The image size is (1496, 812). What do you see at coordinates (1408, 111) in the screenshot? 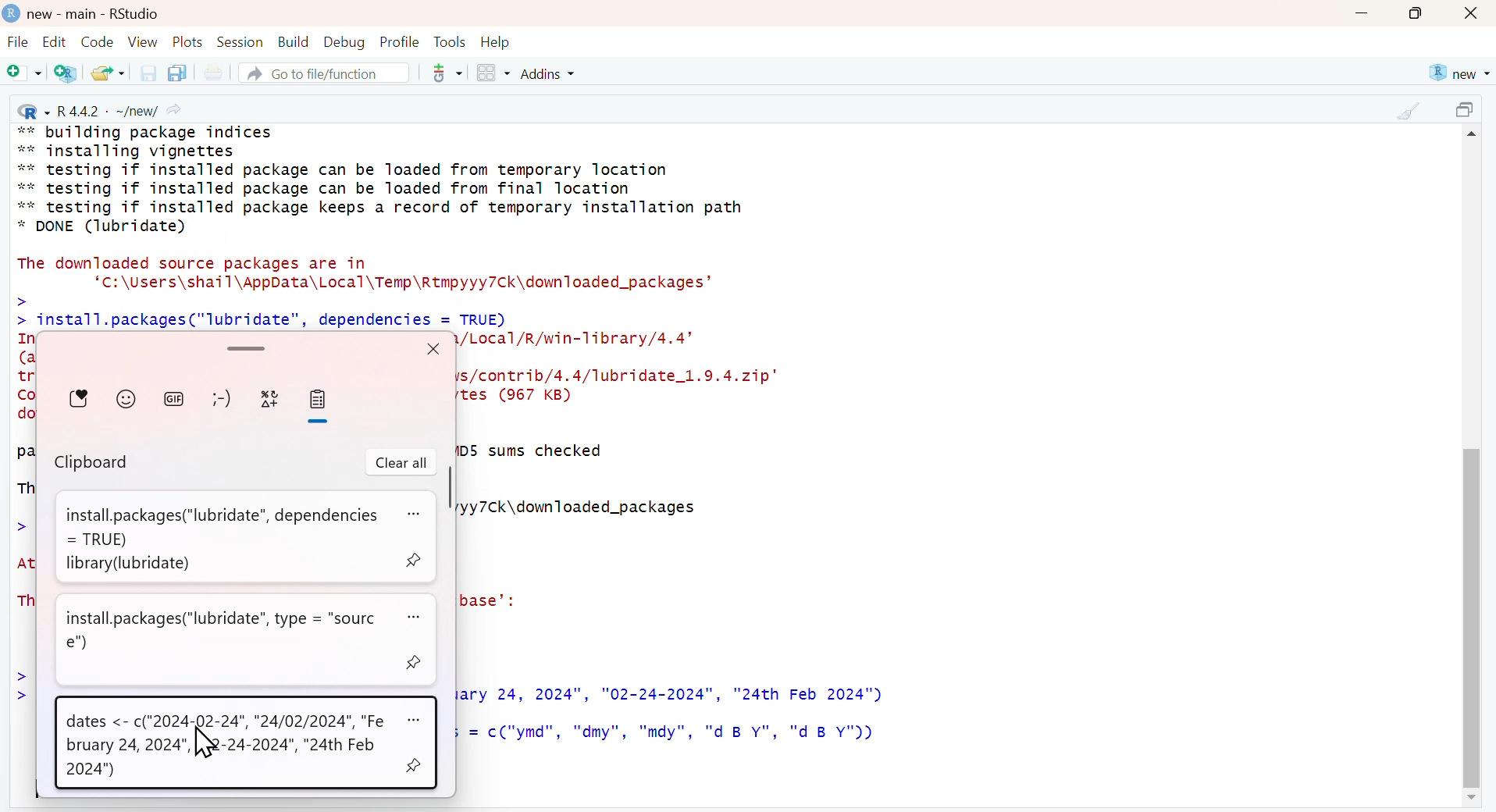
I see `clear console` at bounding box center [1408, 111].